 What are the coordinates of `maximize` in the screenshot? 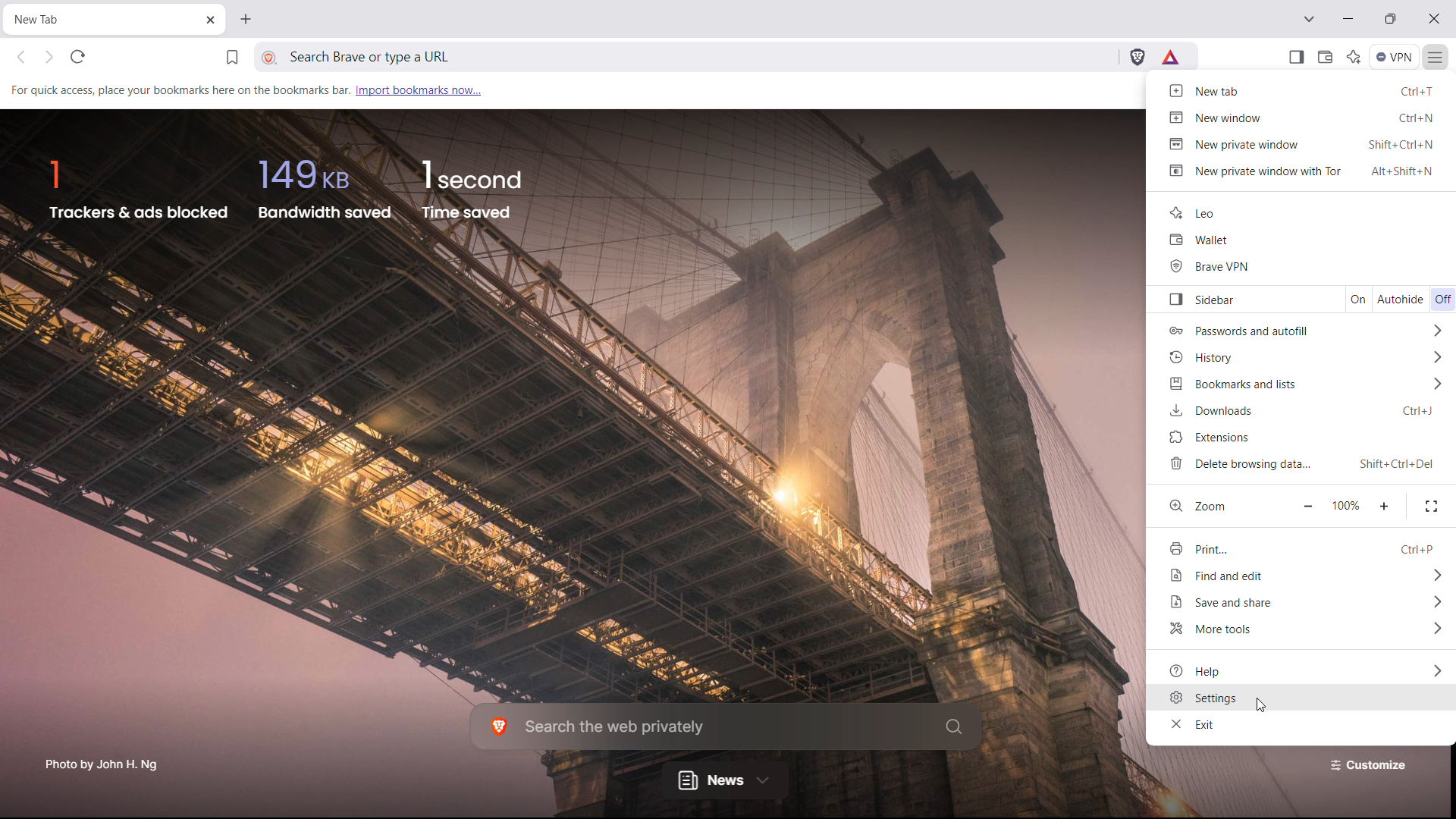 It's located at (1392, 19).